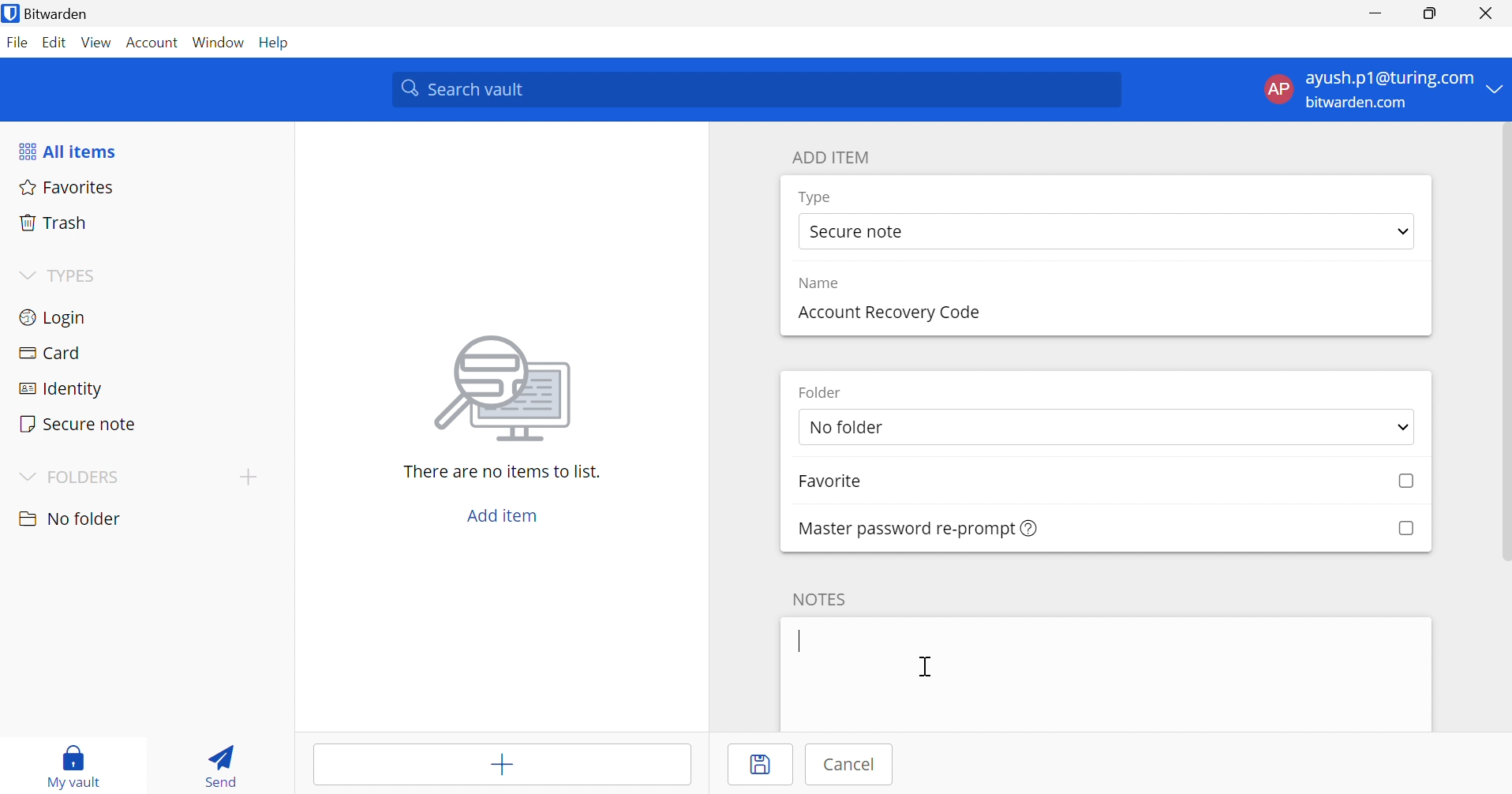  Describe the element at coordinates (1403, 233) in the screenshot. I see `Drop Down` at that location.